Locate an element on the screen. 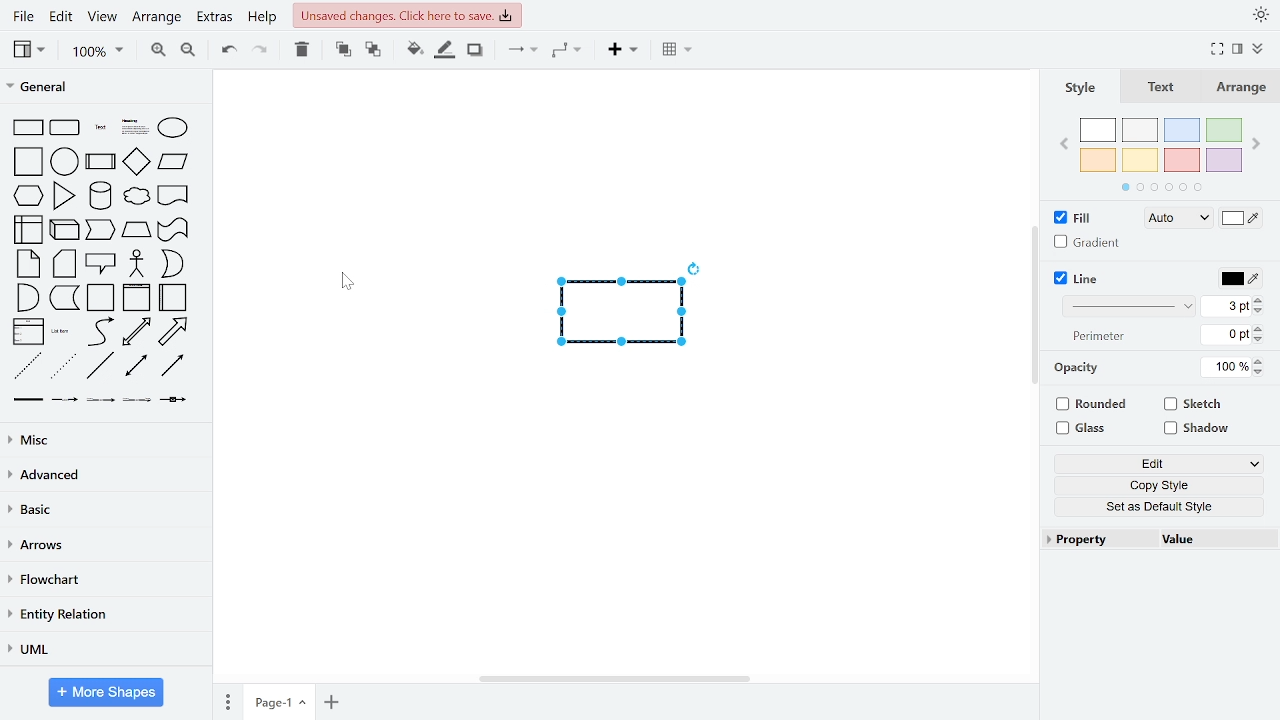  glass is located at coordinates (1084, 429).